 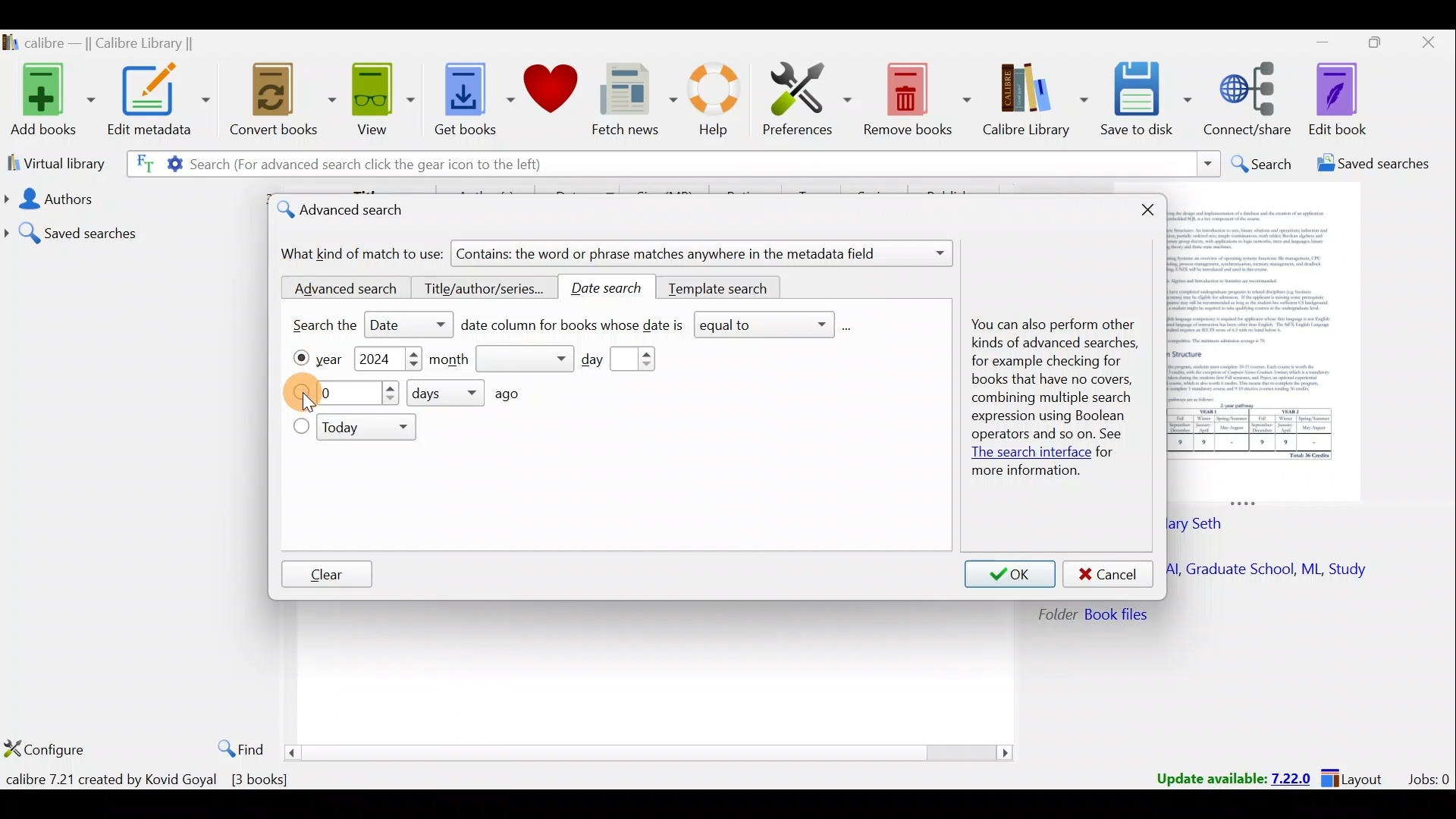 I want to click on Calibre library, so click(x=1037, y=101).